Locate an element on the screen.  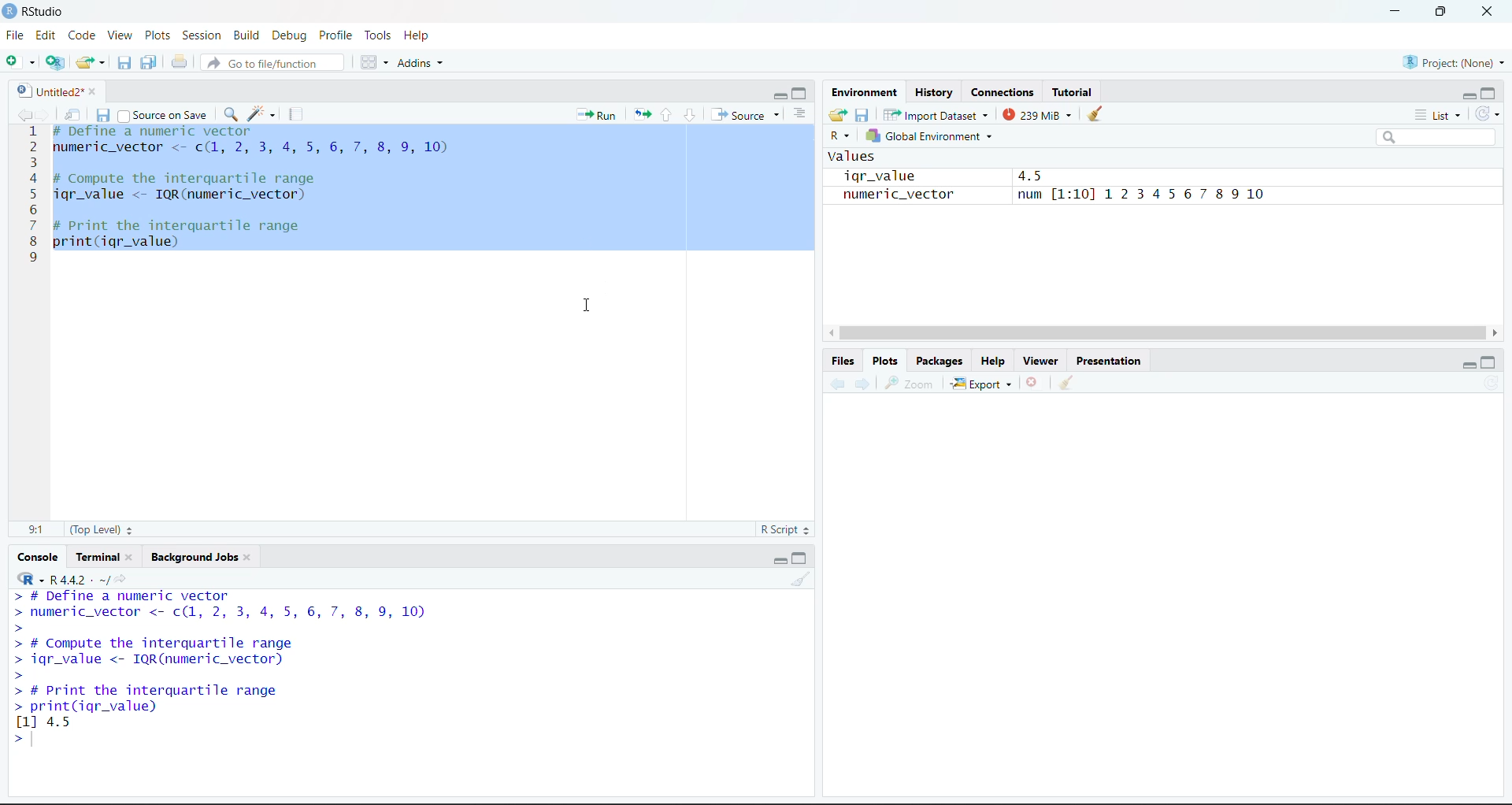
Maximize/Restore is located at coordinates (1440, 12).